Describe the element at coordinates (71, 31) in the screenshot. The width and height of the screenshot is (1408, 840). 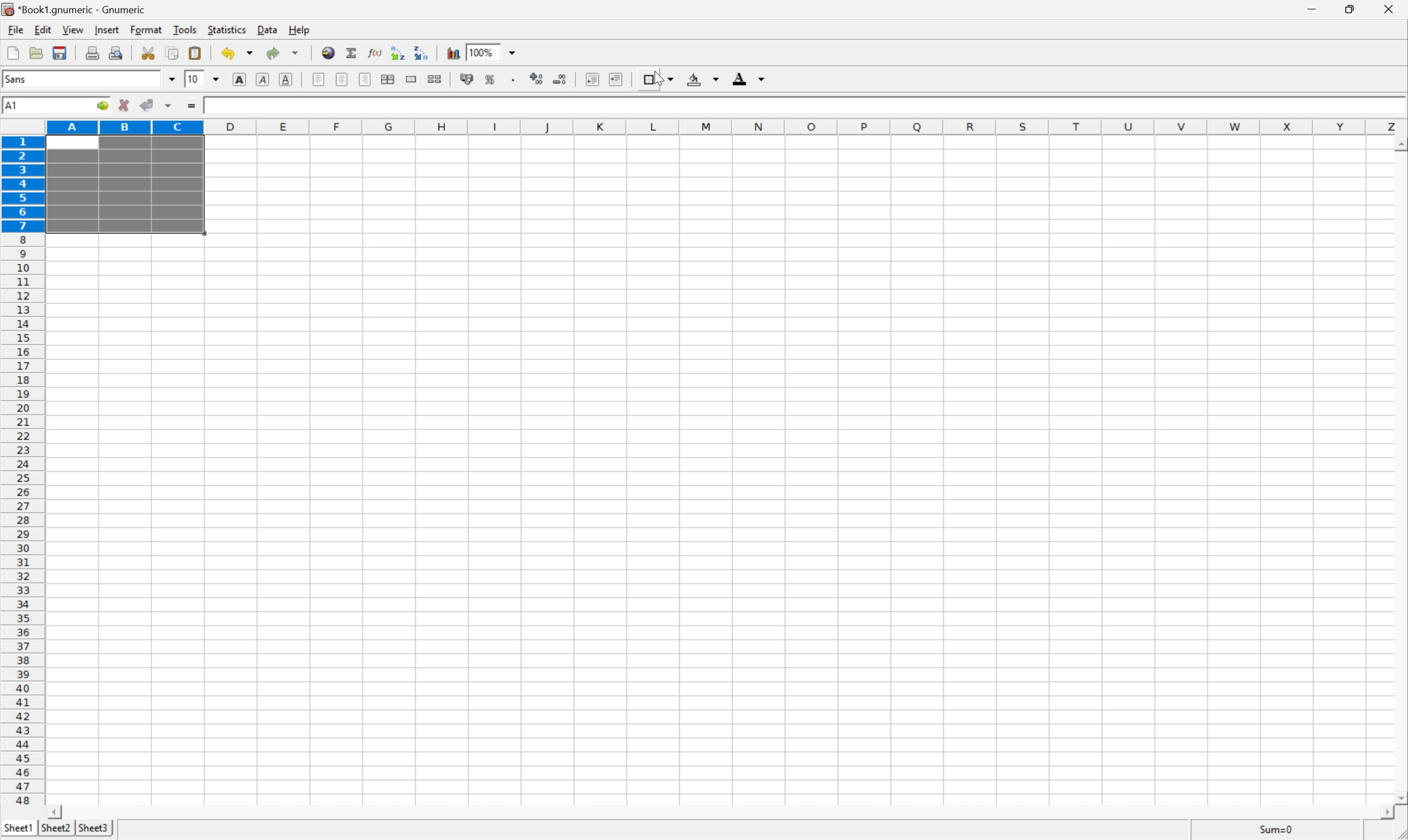
I see `view` at that location.